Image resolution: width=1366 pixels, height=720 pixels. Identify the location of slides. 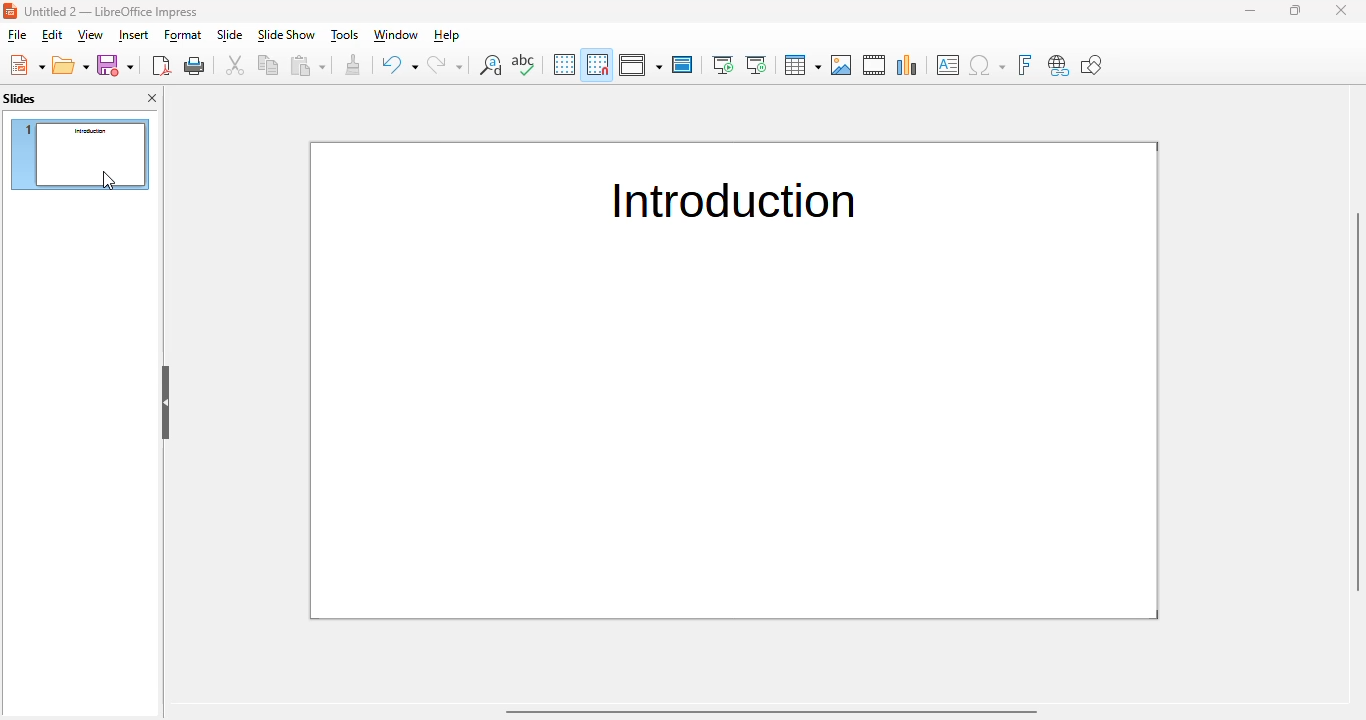
(20, 98).